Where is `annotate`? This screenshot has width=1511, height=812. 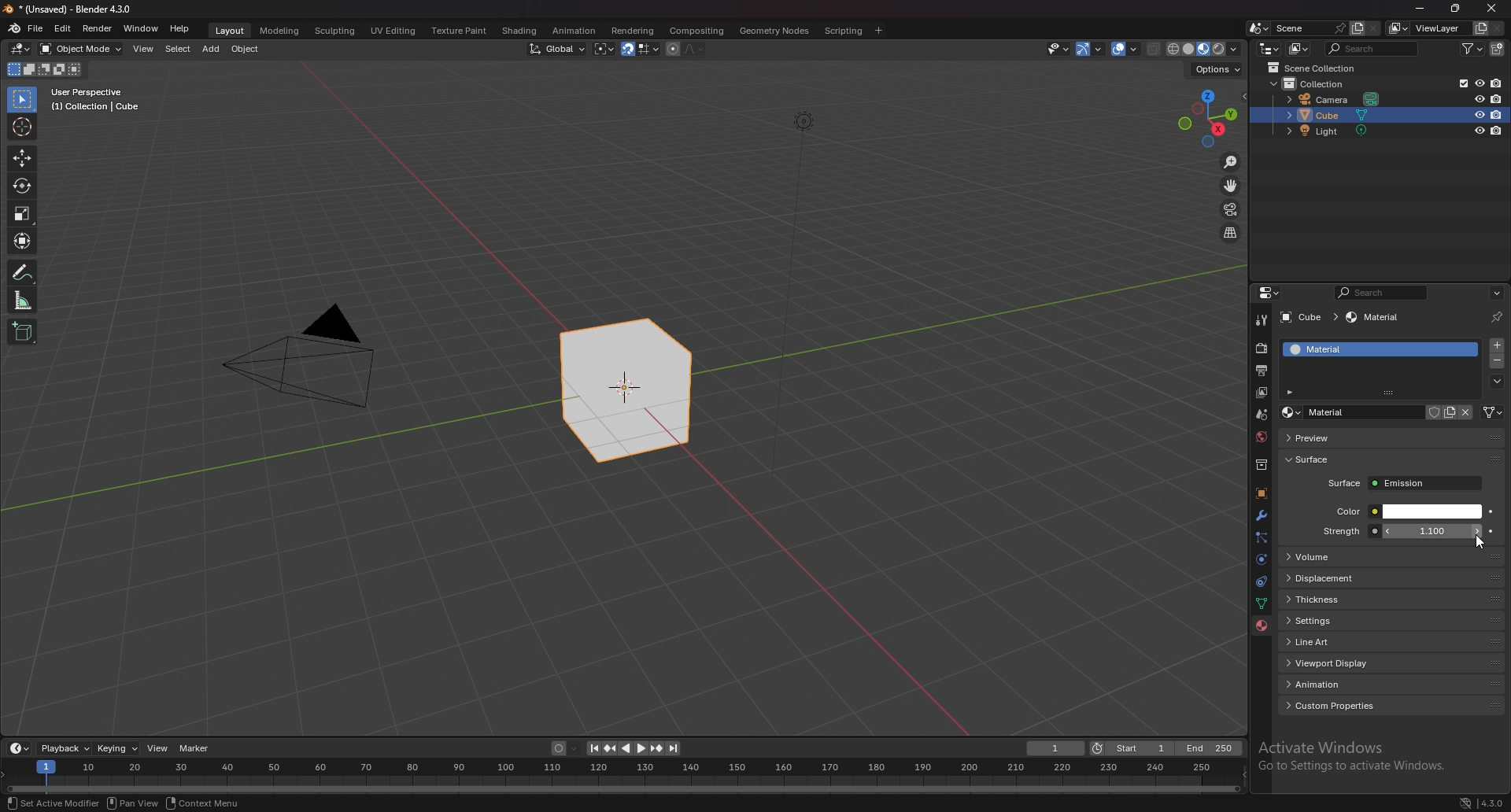
annotate is located at coordinates (23, 272).